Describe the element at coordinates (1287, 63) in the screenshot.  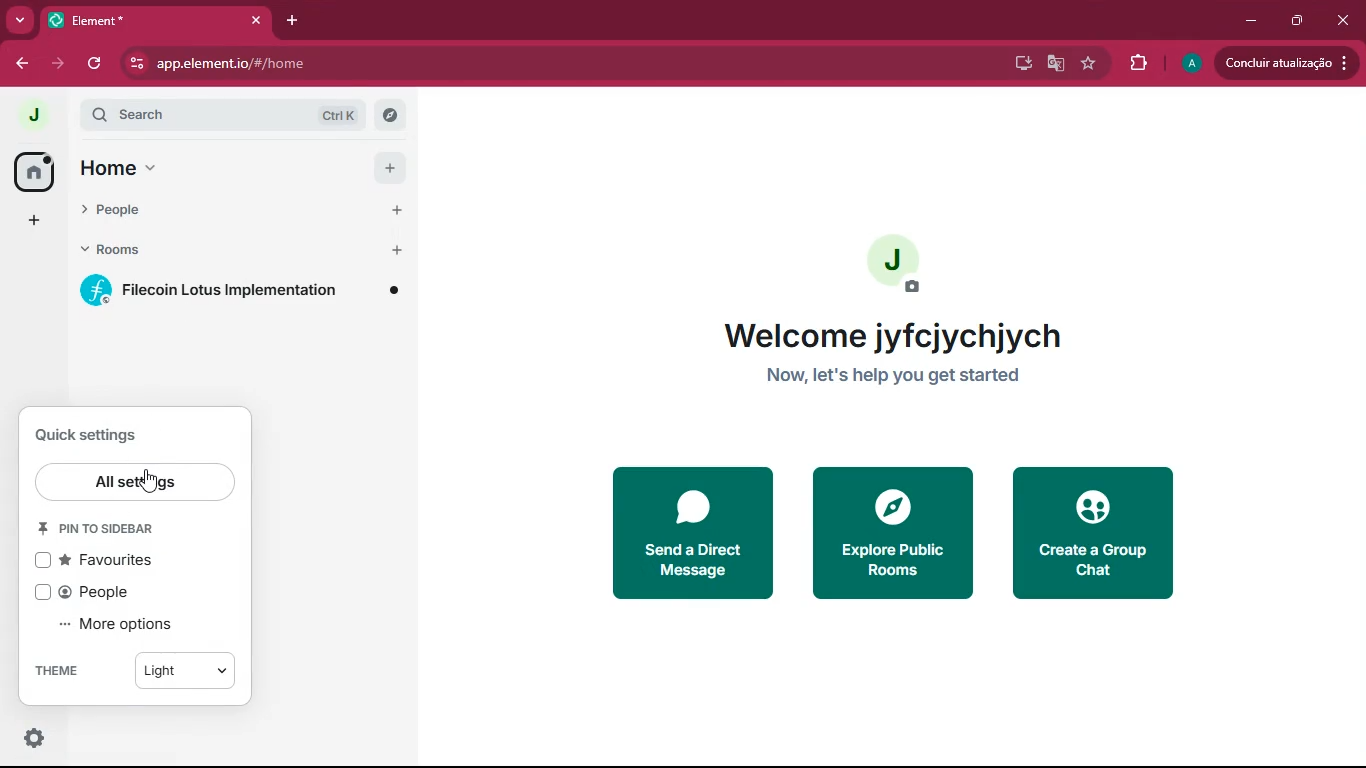
I see `conduir atualizacao` at that location.